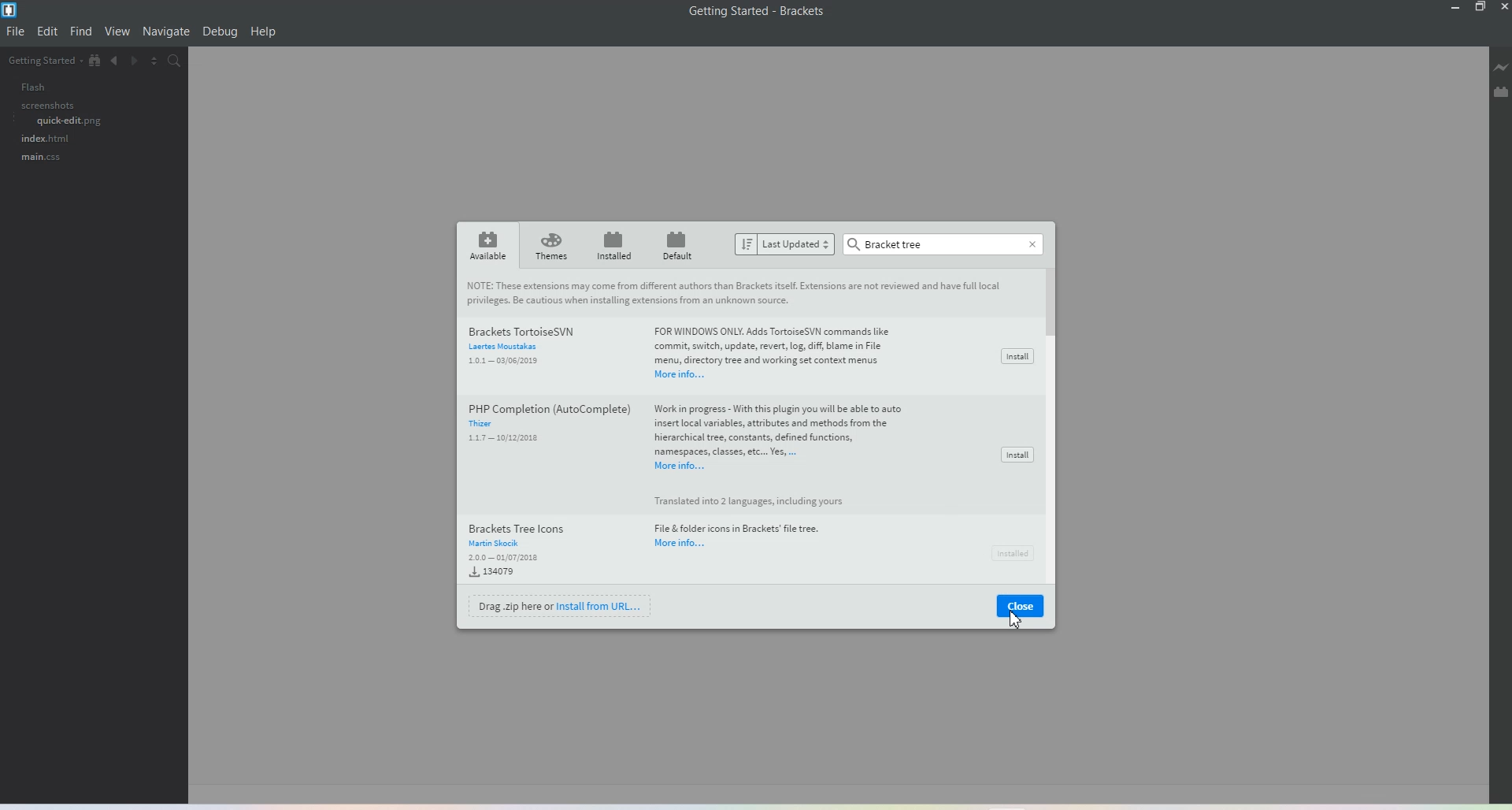 The height and width of the screenshot is (810, 1512). What do you see at coordinates (24, 87) in the screenshot?
I see `Flash` at bounding box center [24, 87].